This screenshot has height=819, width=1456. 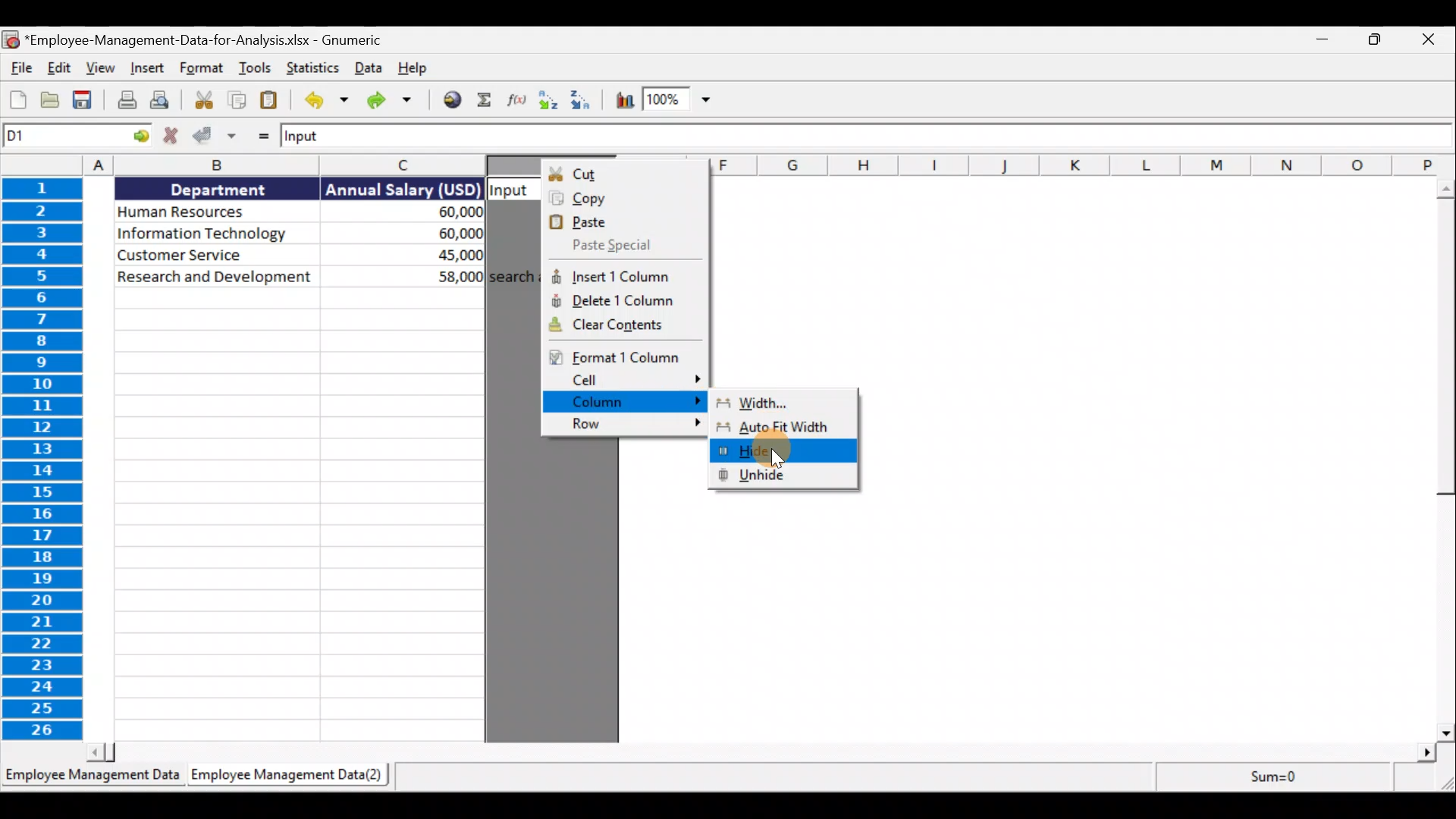 What do you see at coordinates (784, 431) in the screenshot?
I see `Auto Fit Width` at bounding box center [784, 431].